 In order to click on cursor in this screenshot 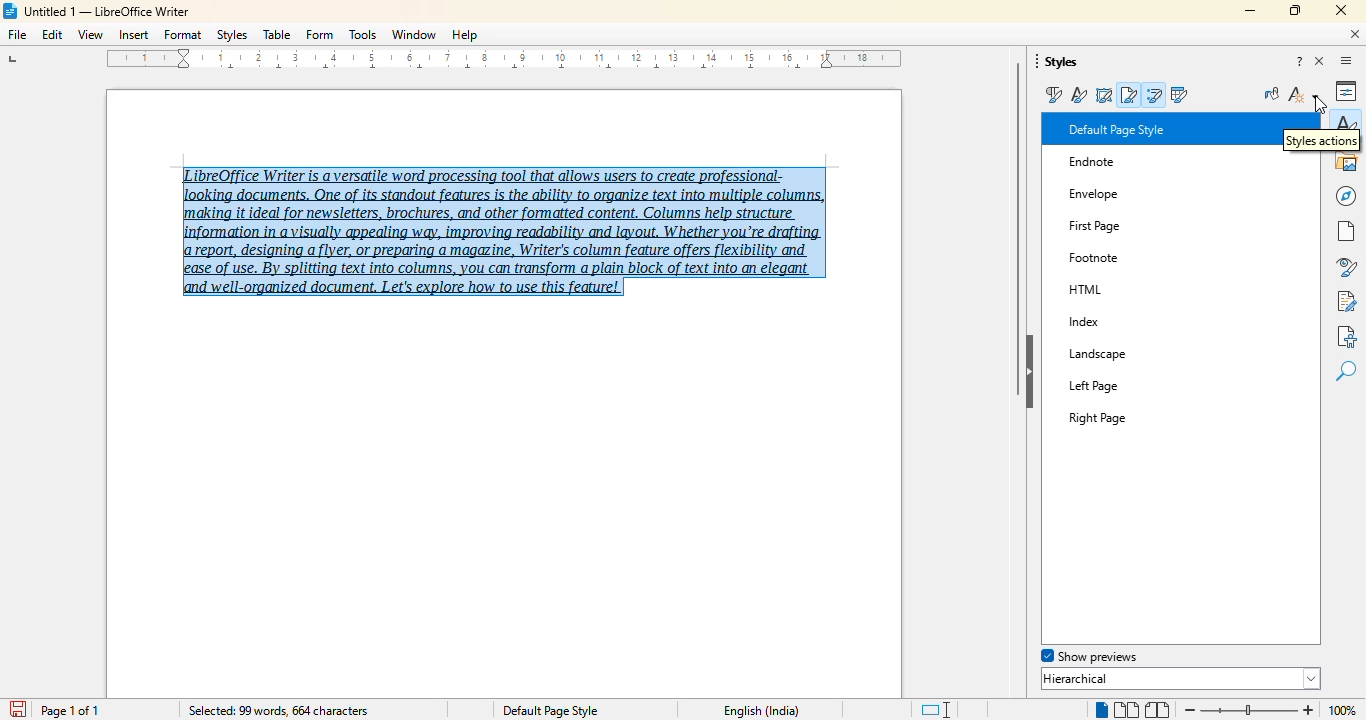, I will do `click(1322, 104)`.